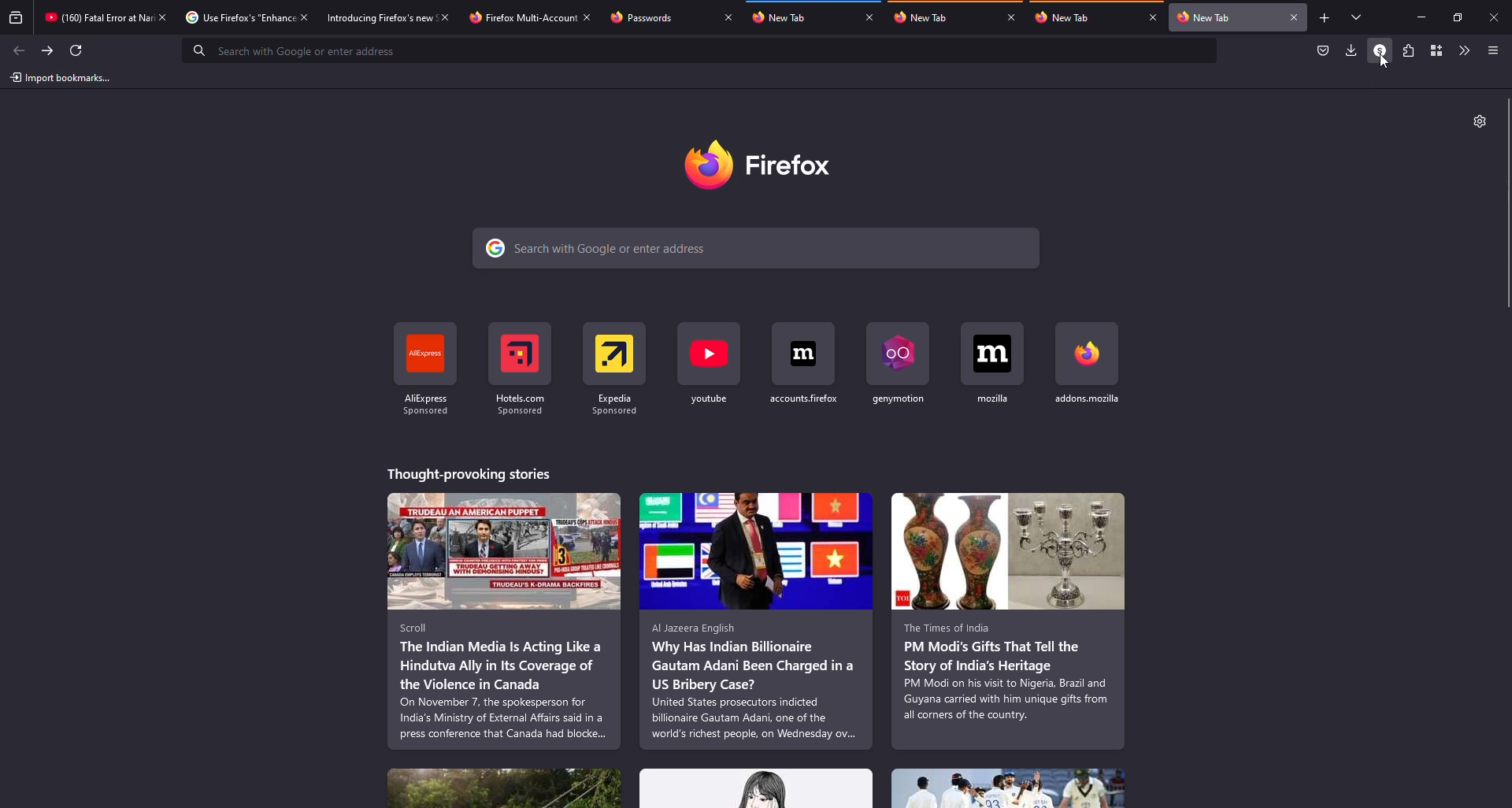  What do you see at coordinates (306, 17) in the screenshot?
I see `close` at bounding box center [306, 17].